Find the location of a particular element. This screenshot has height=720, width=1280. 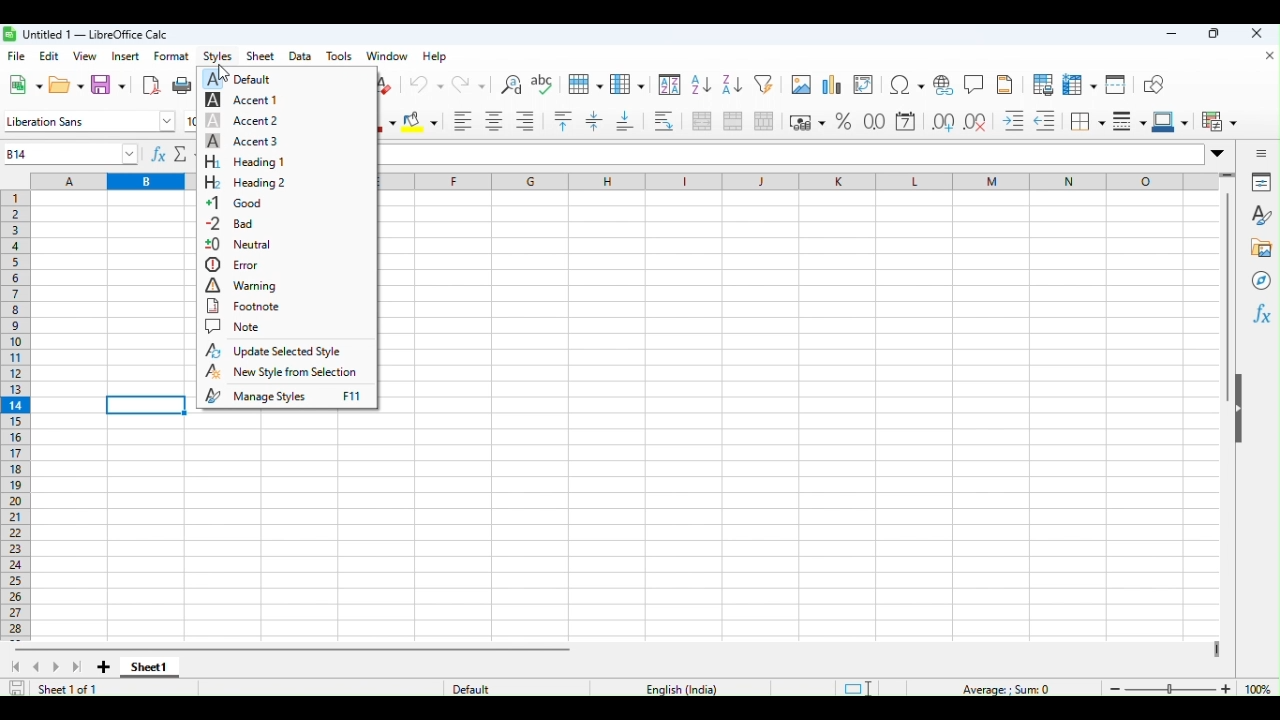

B14 is located at coordinates (67, 154).